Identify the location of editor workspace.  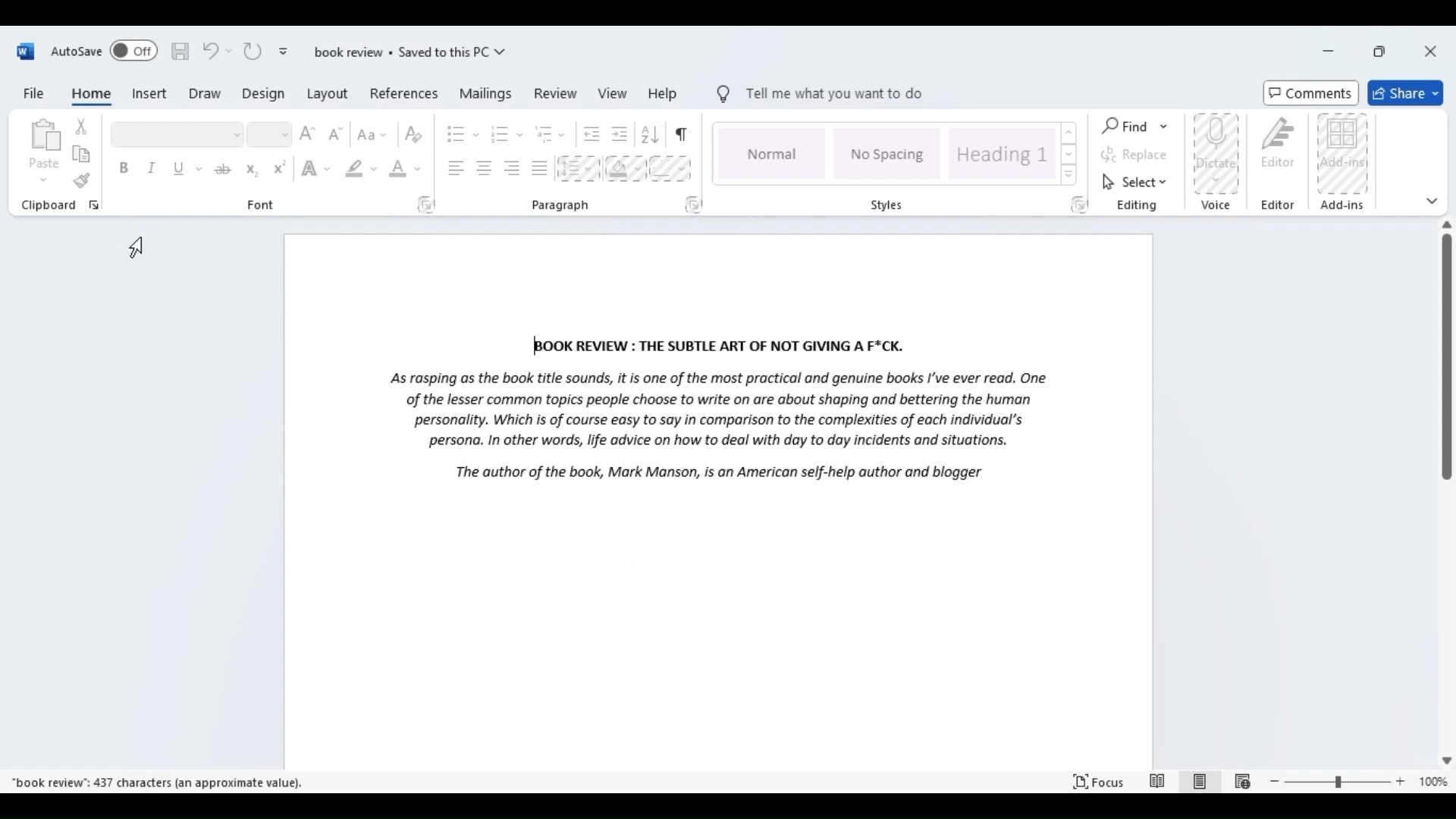
(720, 499).